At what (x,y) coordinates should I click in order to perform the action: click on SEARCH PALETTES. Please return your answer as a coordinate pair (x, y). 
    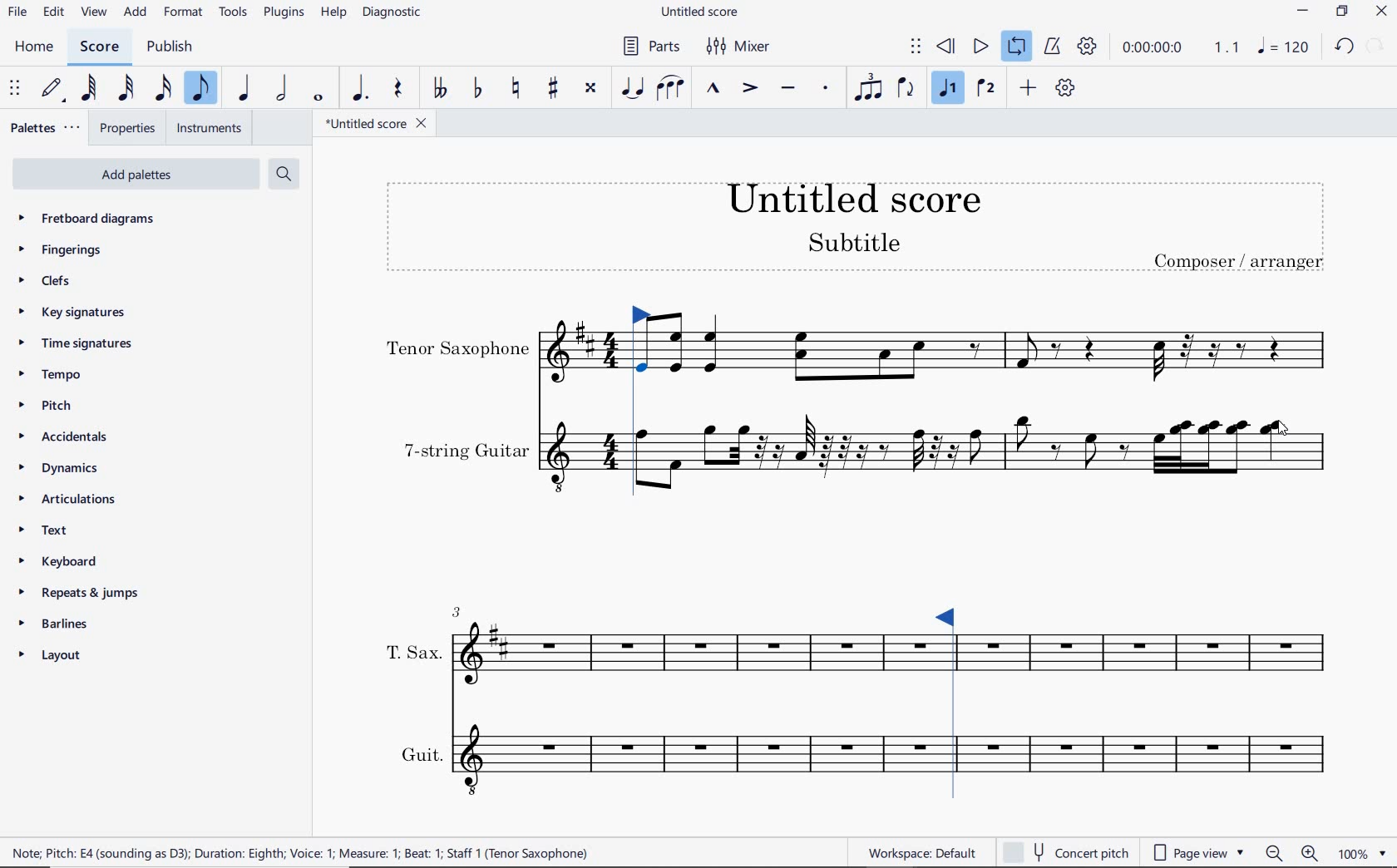
    Looking at the image, I should click on (284, 173).